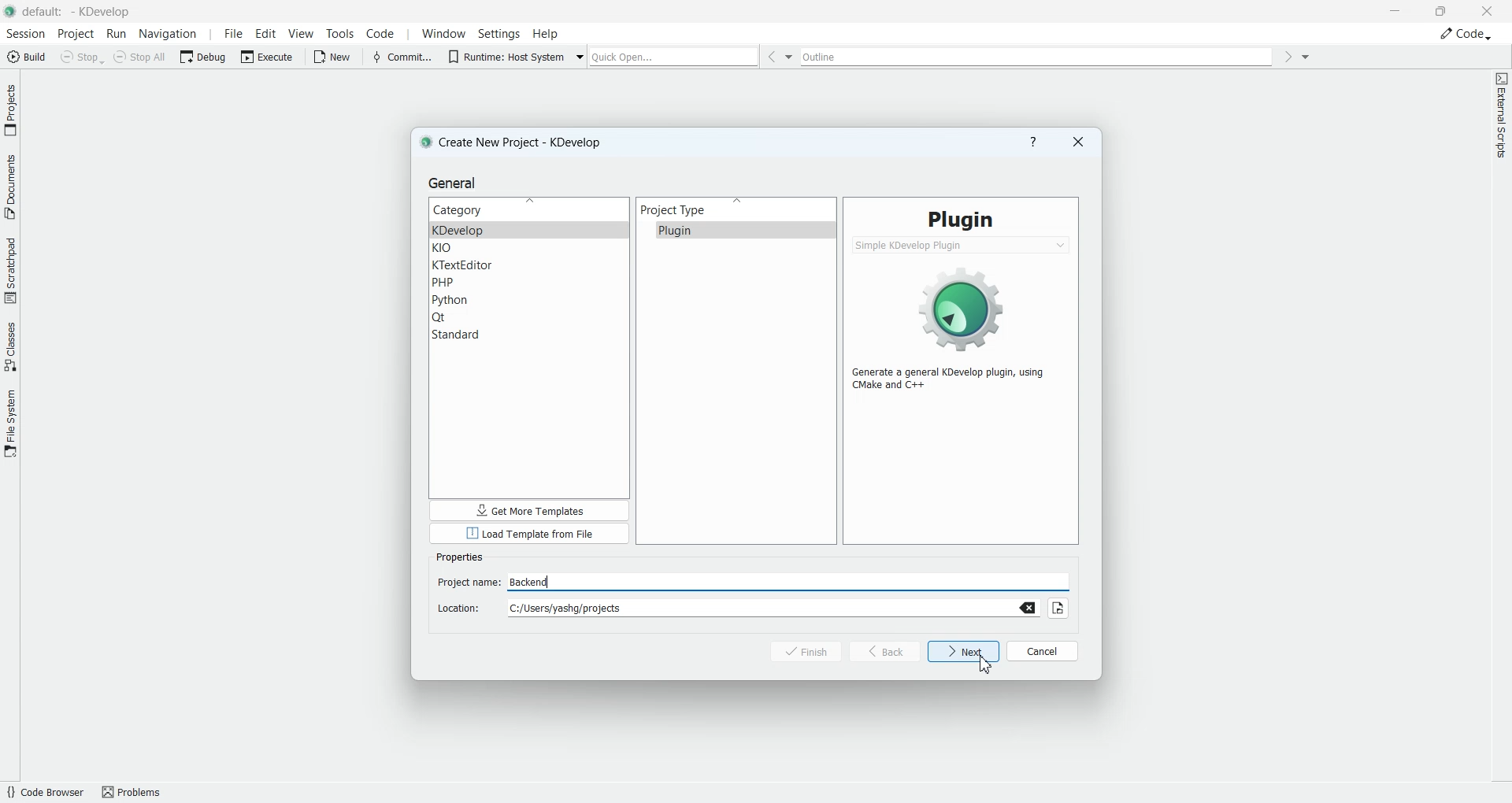 This screenshot has width=1512, height=803. I want to click on Cursor, so click(986, 665).